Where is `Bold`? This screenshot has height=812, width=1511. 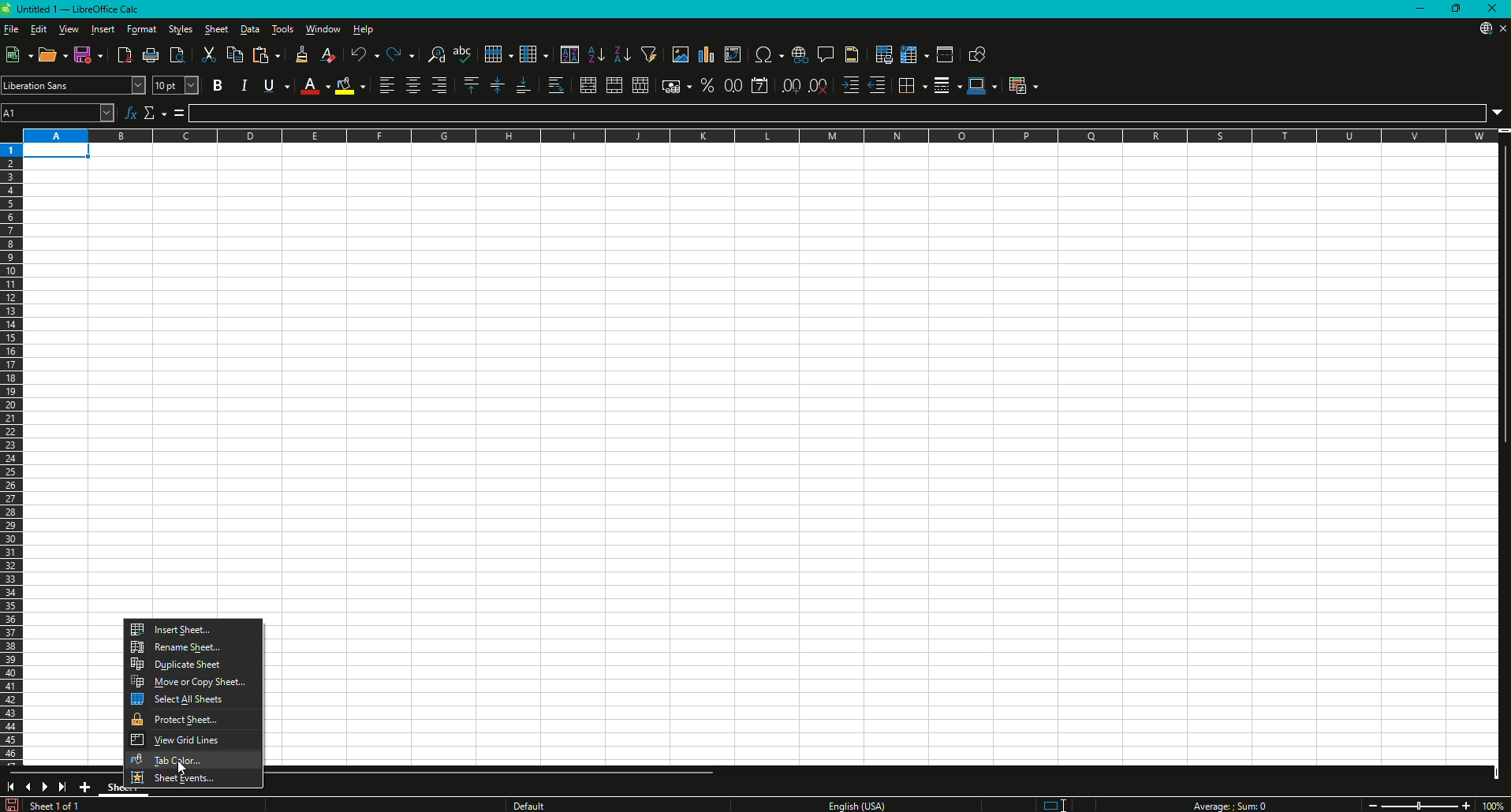 Bold is located at coordinates (218, 85).